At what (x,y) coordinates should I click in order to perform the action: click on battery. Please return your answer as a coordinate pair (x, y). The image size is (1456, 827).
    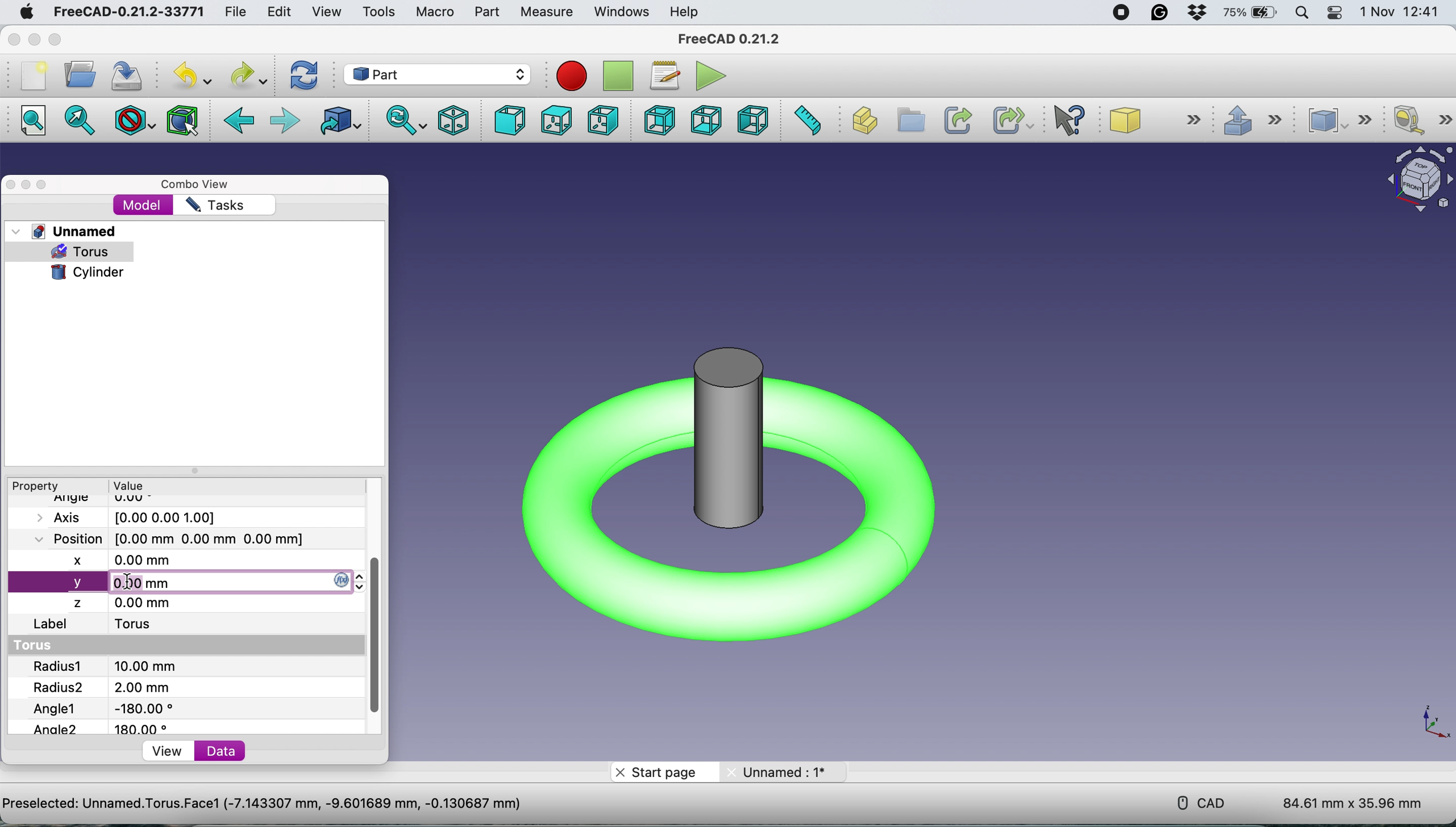
    Looking at the image, I should click on (1251, 12).